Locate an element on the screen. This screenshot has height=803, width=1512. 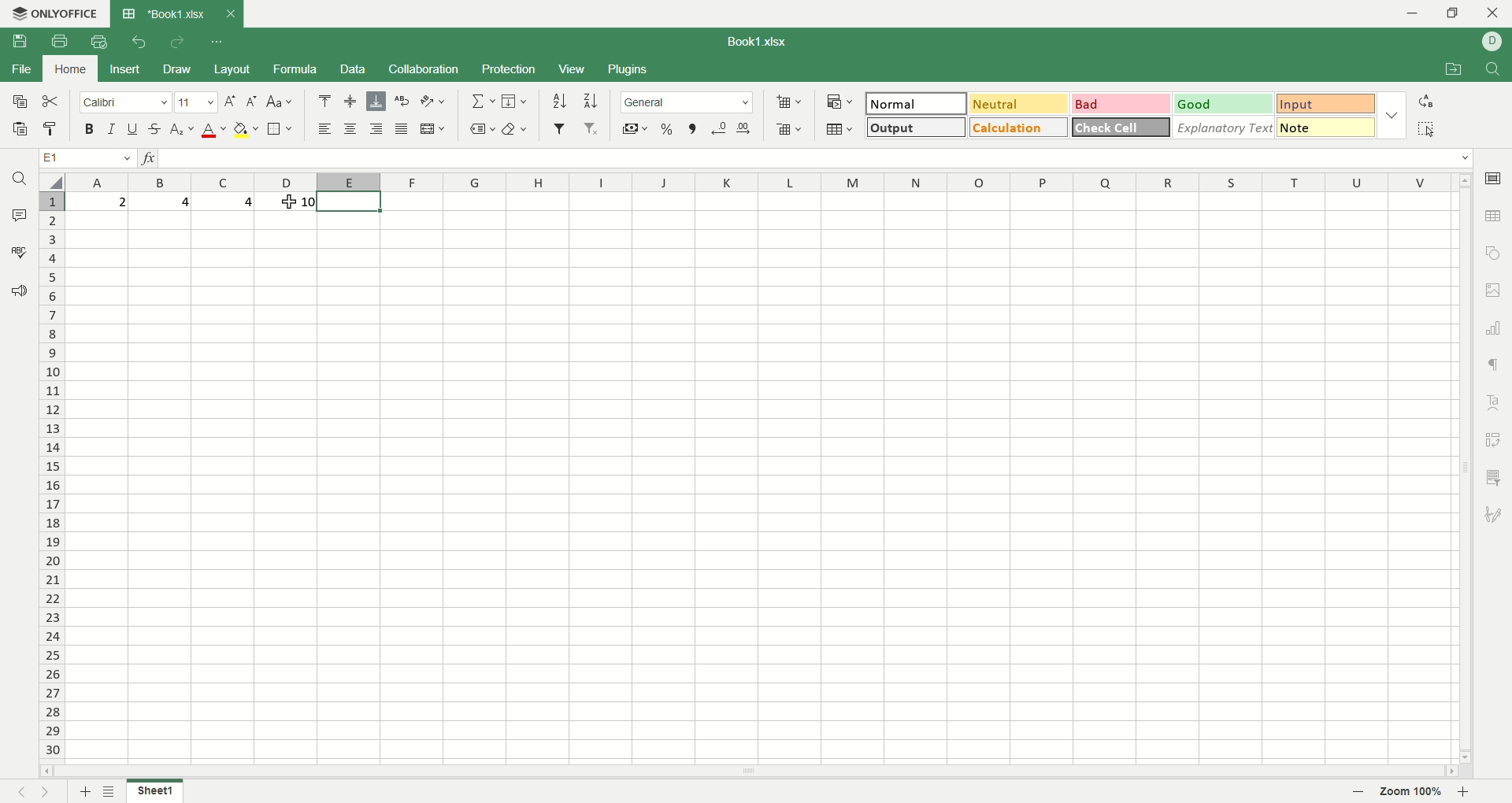
increase font is located at coordinates (230, 102).